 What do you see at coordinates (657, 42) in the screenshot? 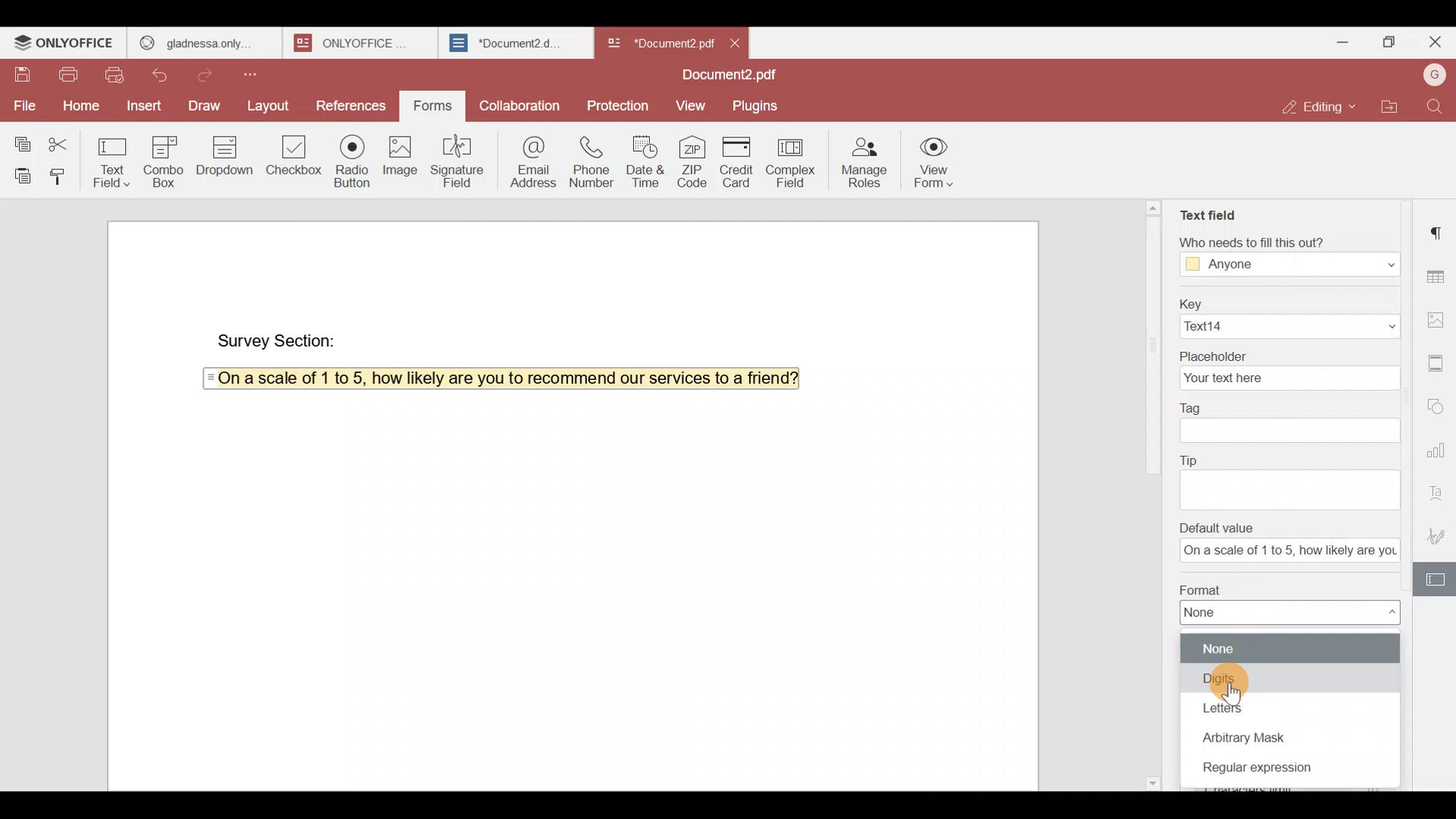
I see `*Document2 pd` at bounding box center [657, 42].